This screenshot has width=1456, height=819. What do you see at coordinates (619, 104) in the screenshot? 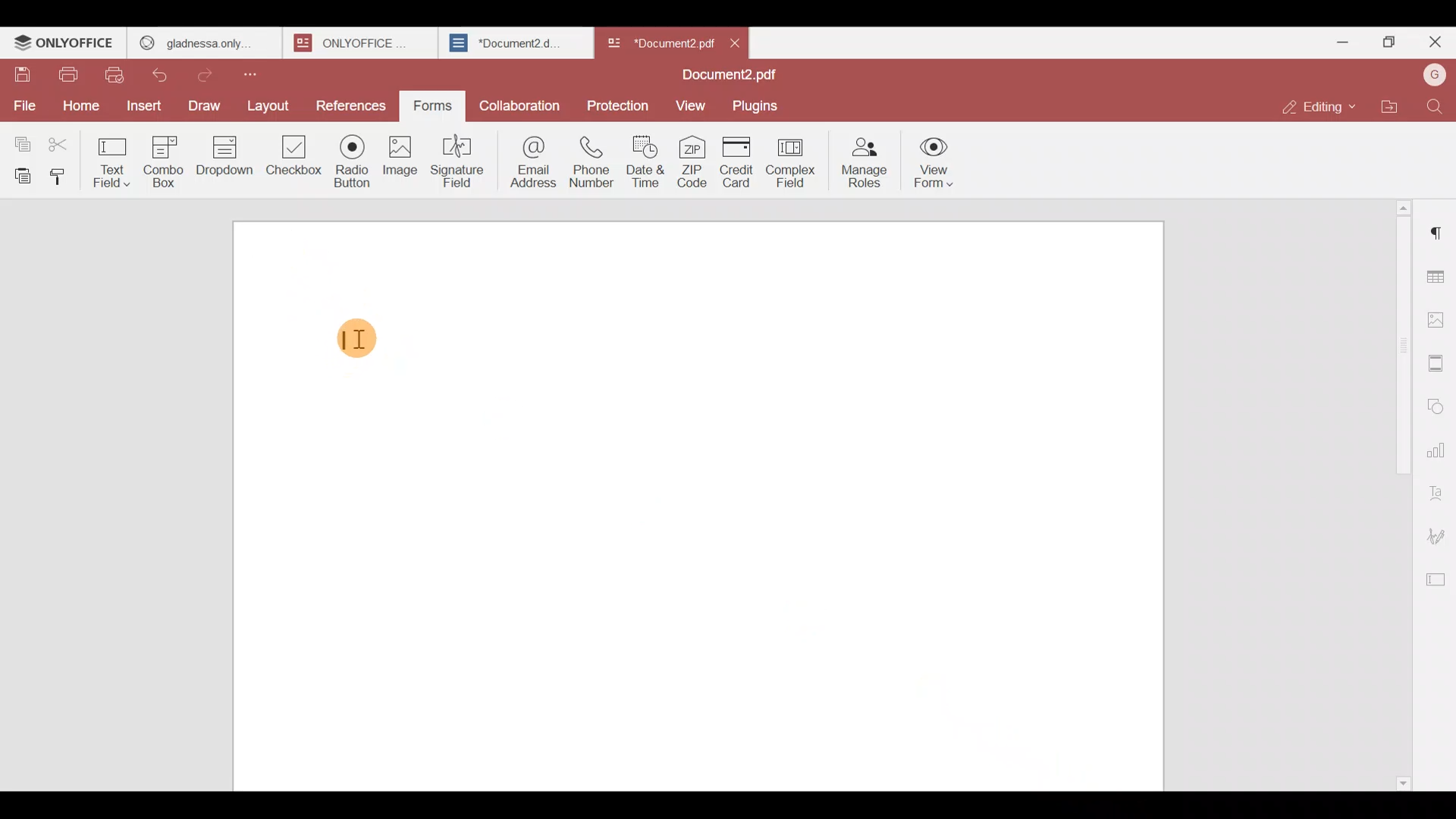
I see `Protection` at bounding box center [619, 104].